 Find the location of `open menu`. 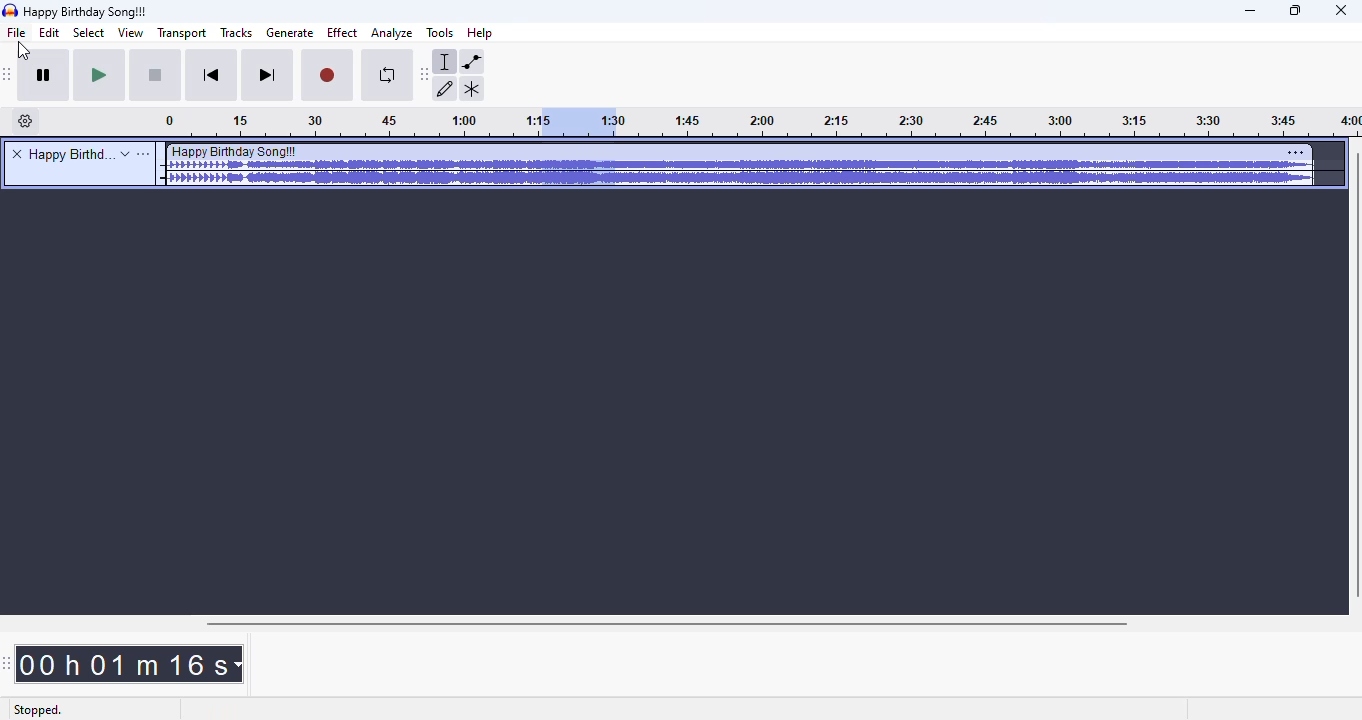

open menu is located at coordinates (144, 154).